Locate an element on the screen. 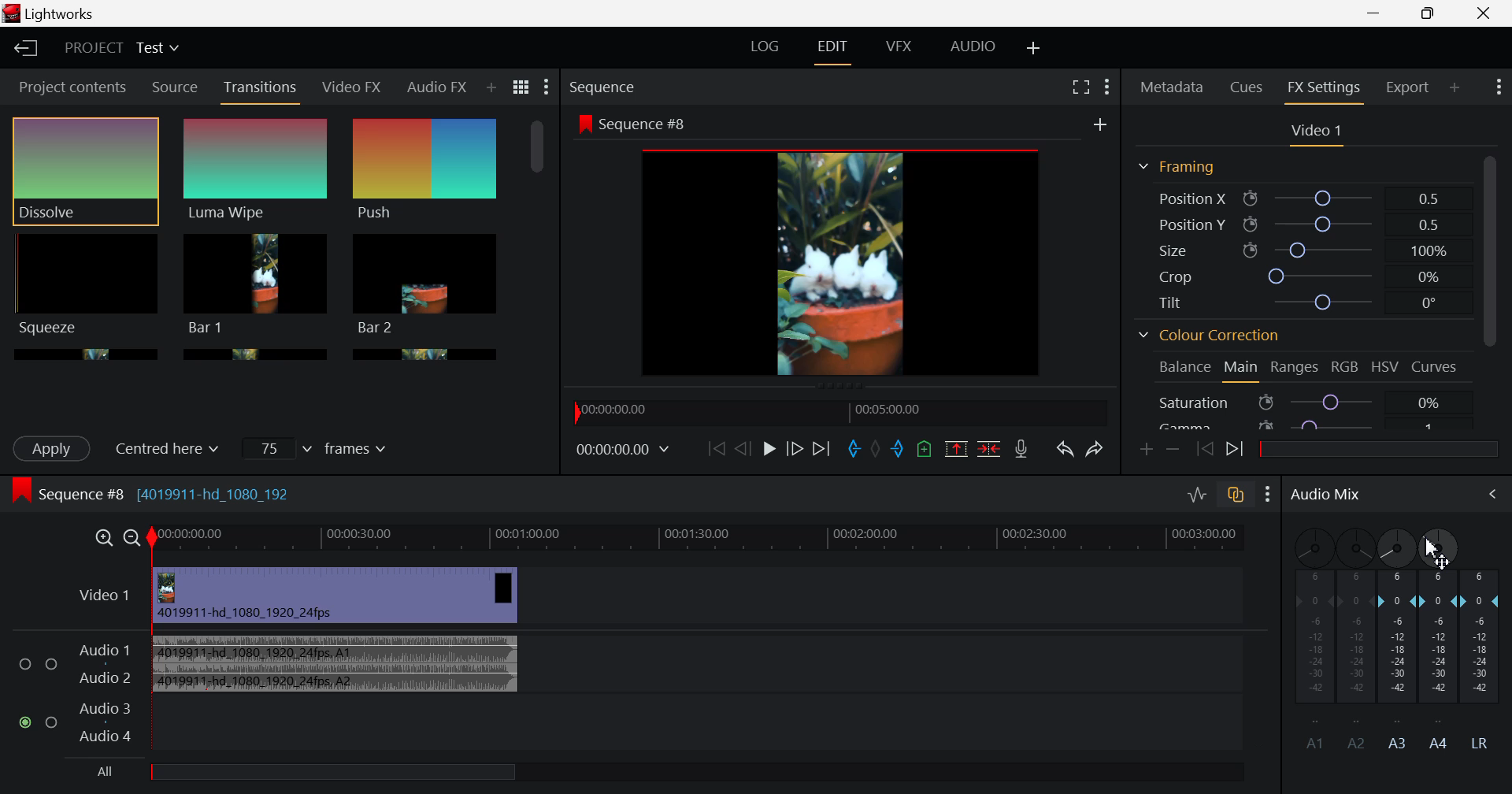  Luma Wipe is located at coordinates (256, 171).